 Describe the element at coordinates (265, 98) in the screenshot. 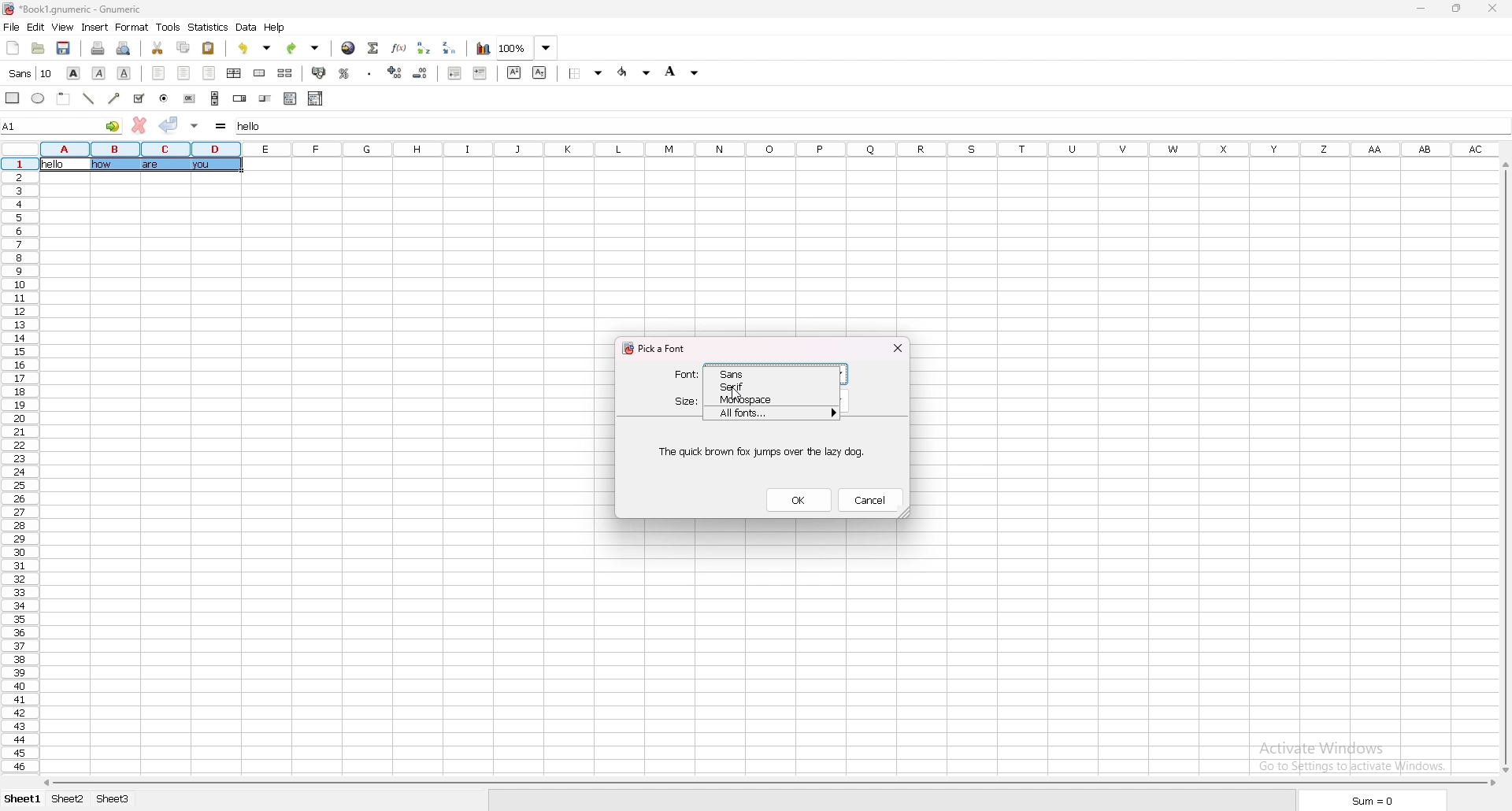

I see `slider` at that location.